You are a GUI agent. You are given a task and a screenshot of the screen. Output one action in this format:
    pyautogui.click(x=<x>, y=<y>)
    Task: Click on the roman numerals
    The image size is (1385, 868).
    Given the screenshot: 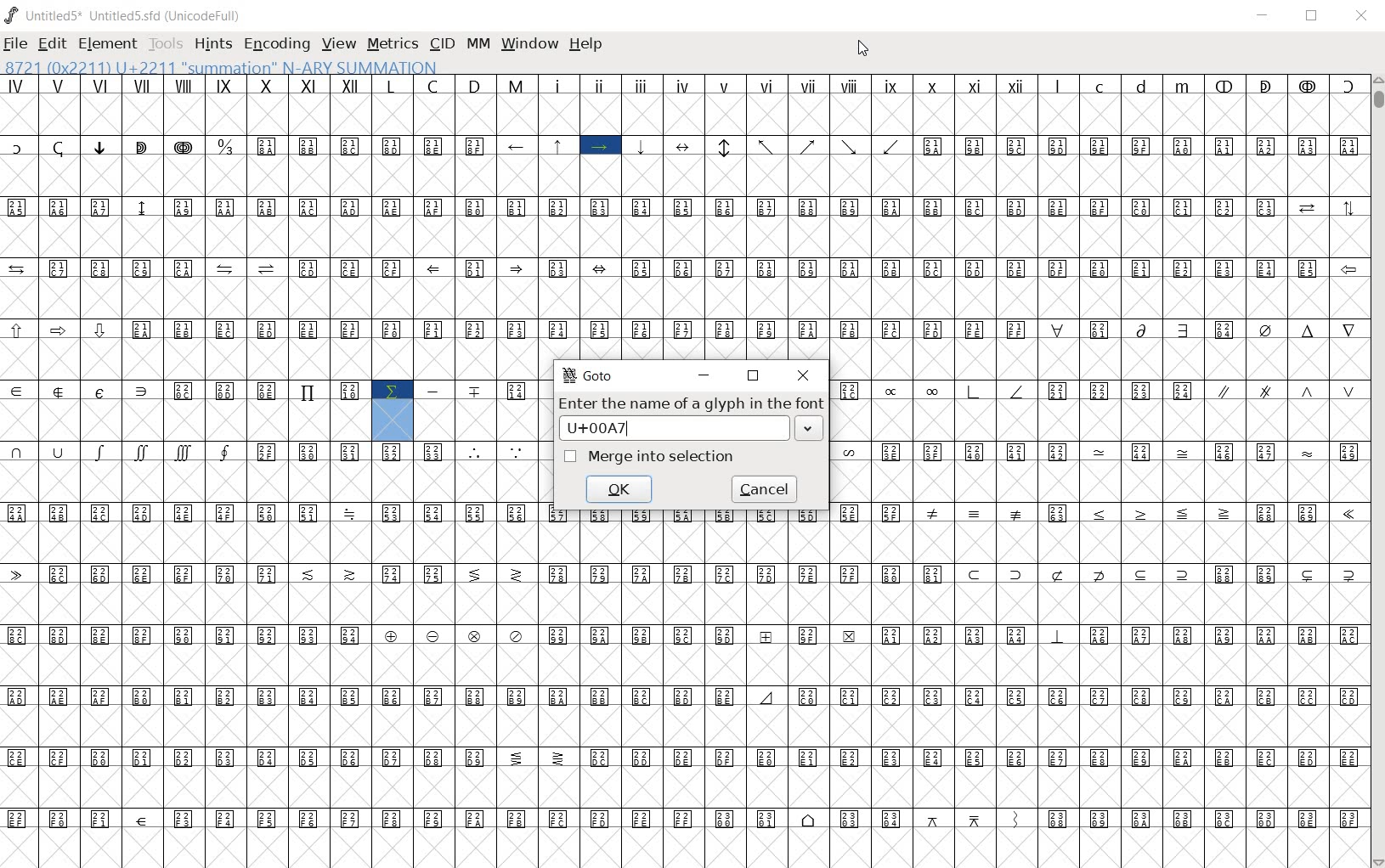 What is the action you would take?
    pyautogui.click(x=187, y=85)
    